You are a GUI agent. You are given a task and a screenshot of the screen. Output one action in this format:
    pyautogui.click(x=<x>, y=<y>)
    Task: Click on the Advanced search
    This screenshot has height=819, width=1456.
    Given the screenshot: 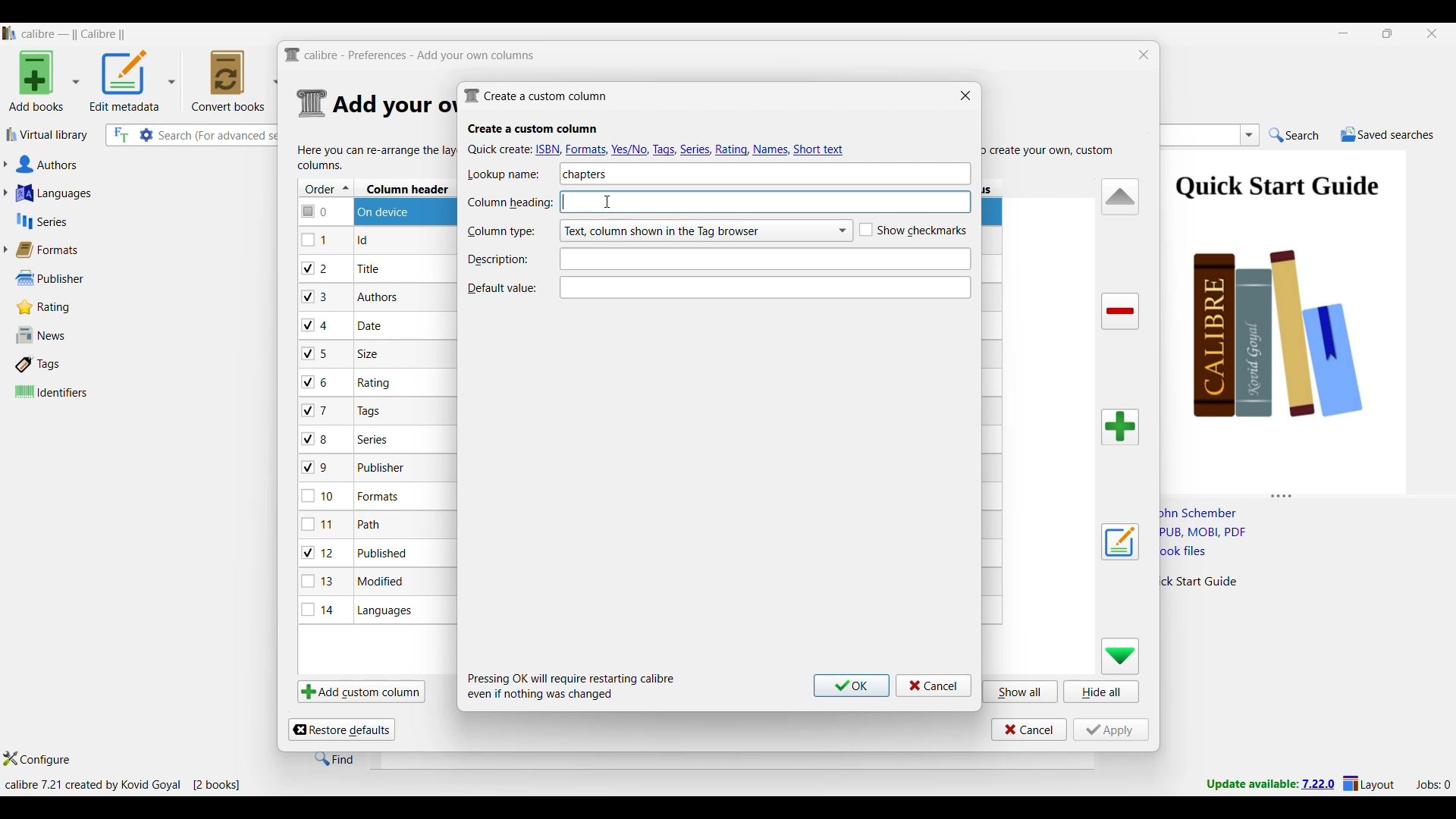 What is the action you would take?
    pyautogui.click(x=146, y=135)
    